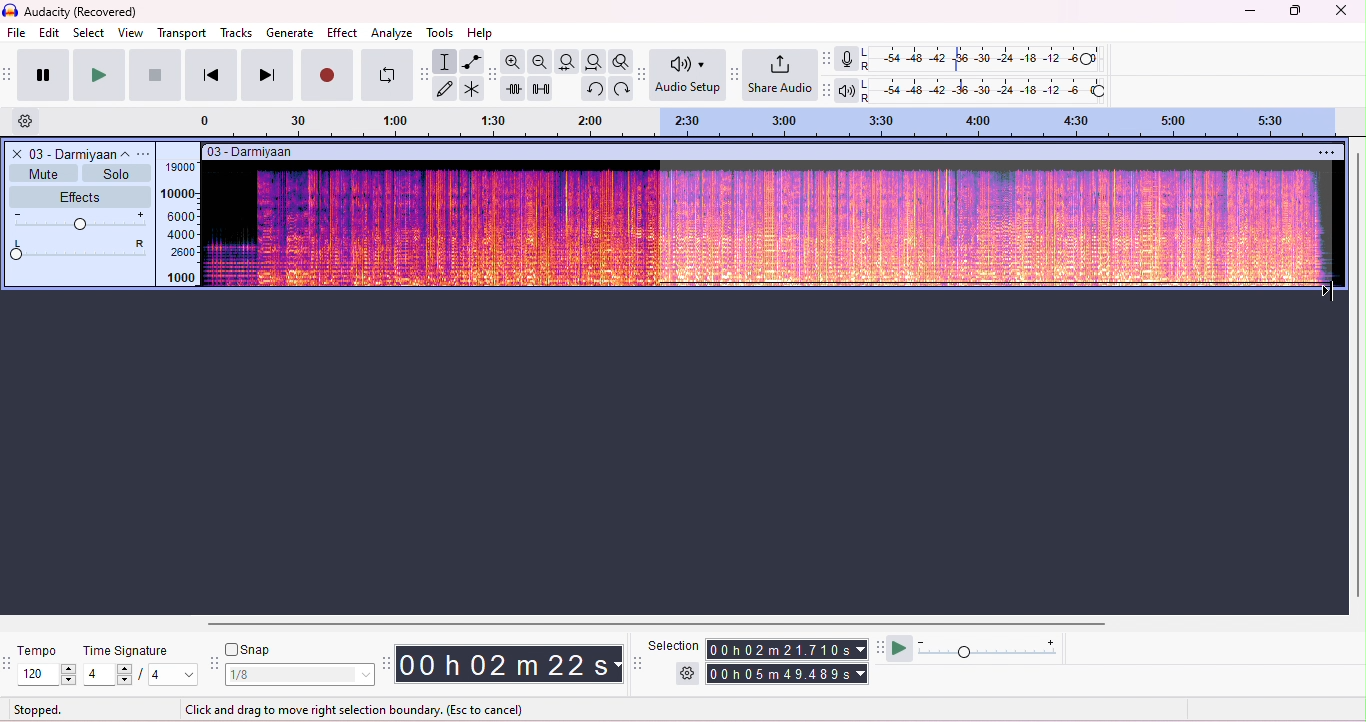 The image size is (1366, 722). What do you see at coordinates (991, 649) in the screenshot?
I see `playback speed` at bounding box center [991, 649].